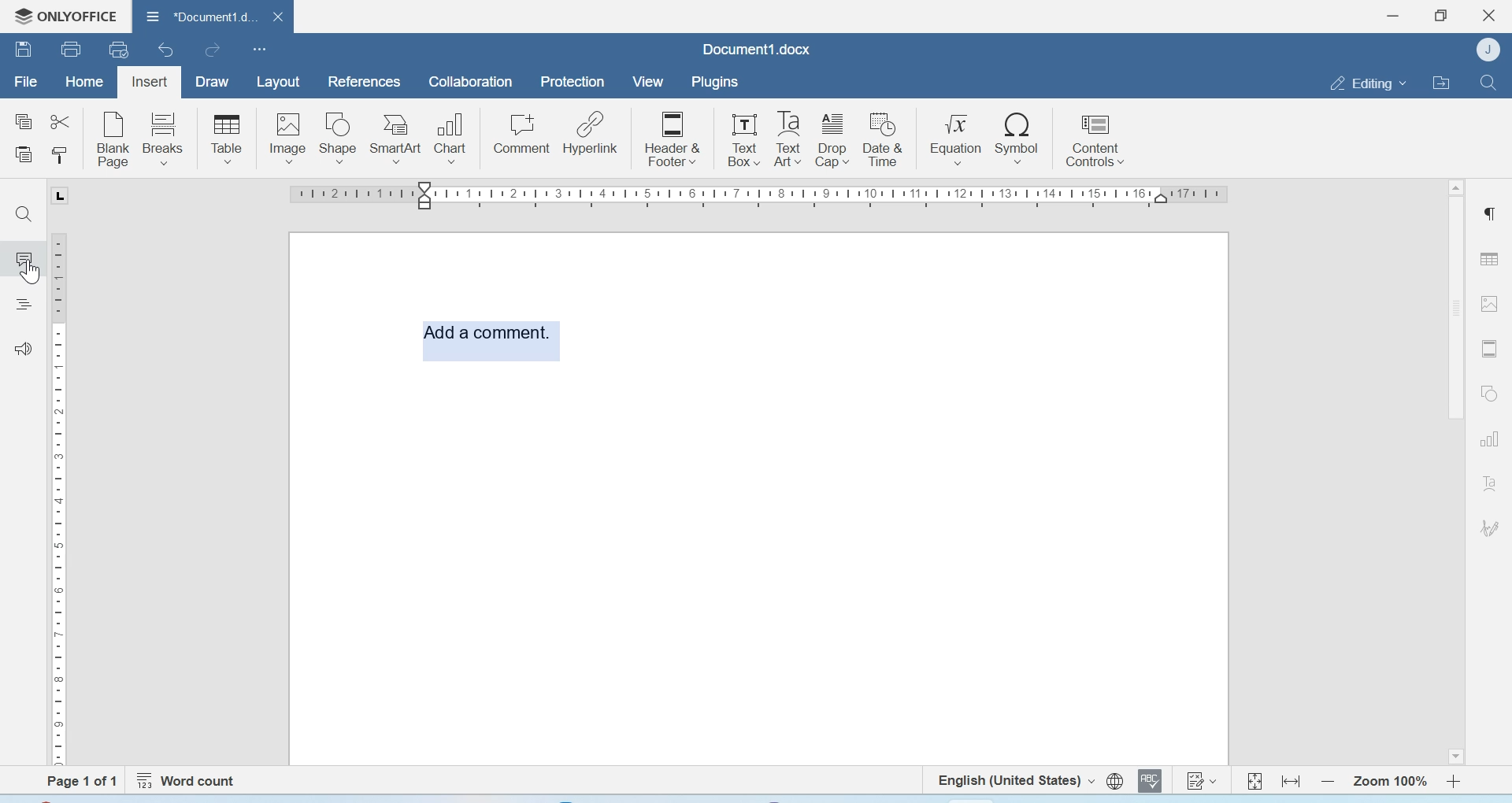 The height and width of the screenshot is (803, 1512). I want to click on Editing, so click(1367, 83).